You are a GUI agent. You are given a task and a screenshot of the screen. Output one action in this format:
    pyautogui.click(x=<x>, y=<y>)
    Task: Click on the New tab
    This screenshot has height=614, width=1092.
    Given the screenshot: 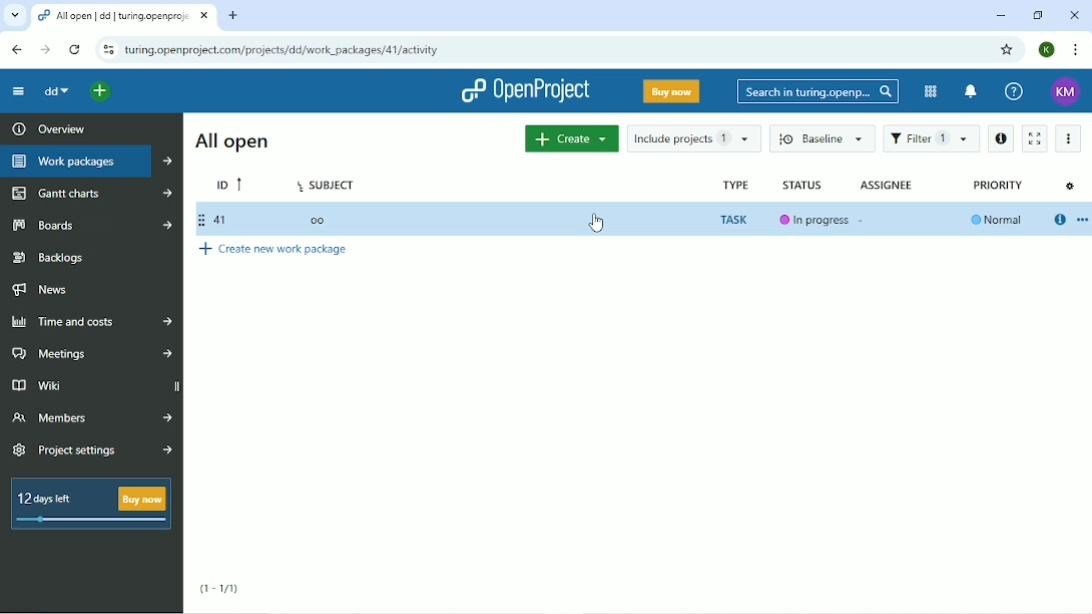 What is the action you would take?
    pyautogui.click(x=234, y=16)
    